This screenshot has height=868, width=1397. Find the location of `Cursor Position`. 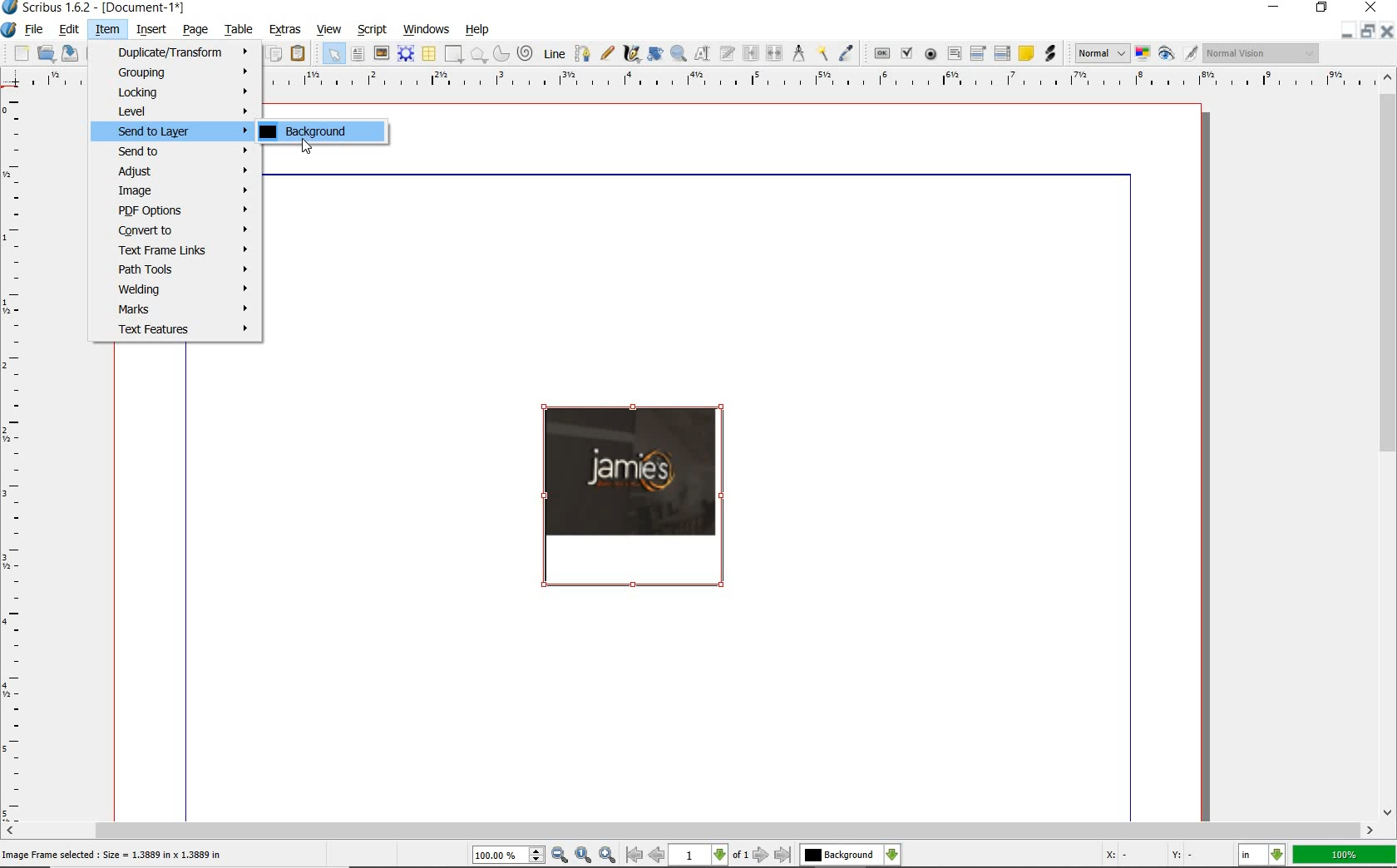

Cursor Position is located at coordinates (308, 147).